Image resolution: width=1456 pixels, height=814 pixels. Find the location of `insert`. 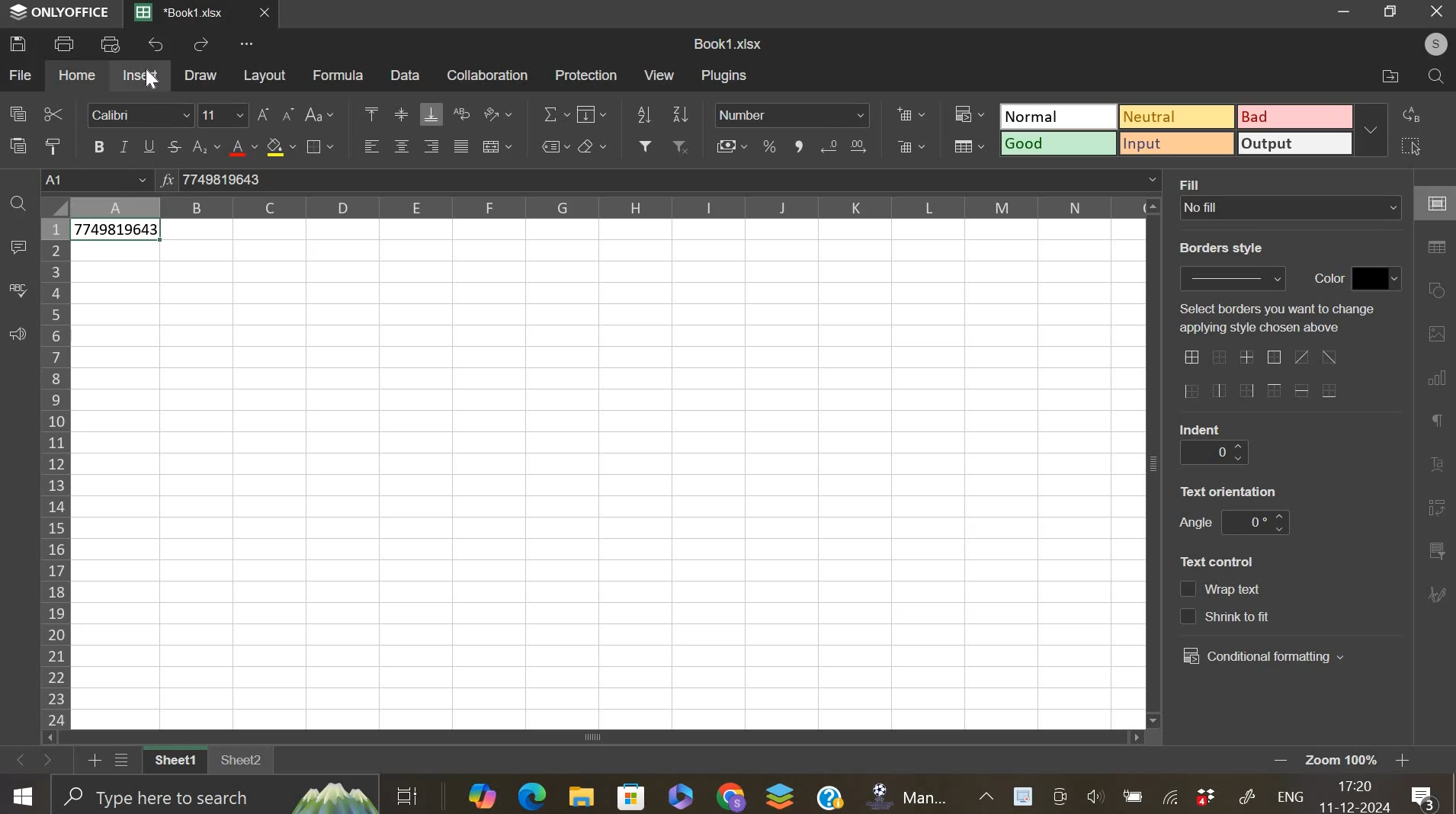

insert is located at coordinates (140, 75).